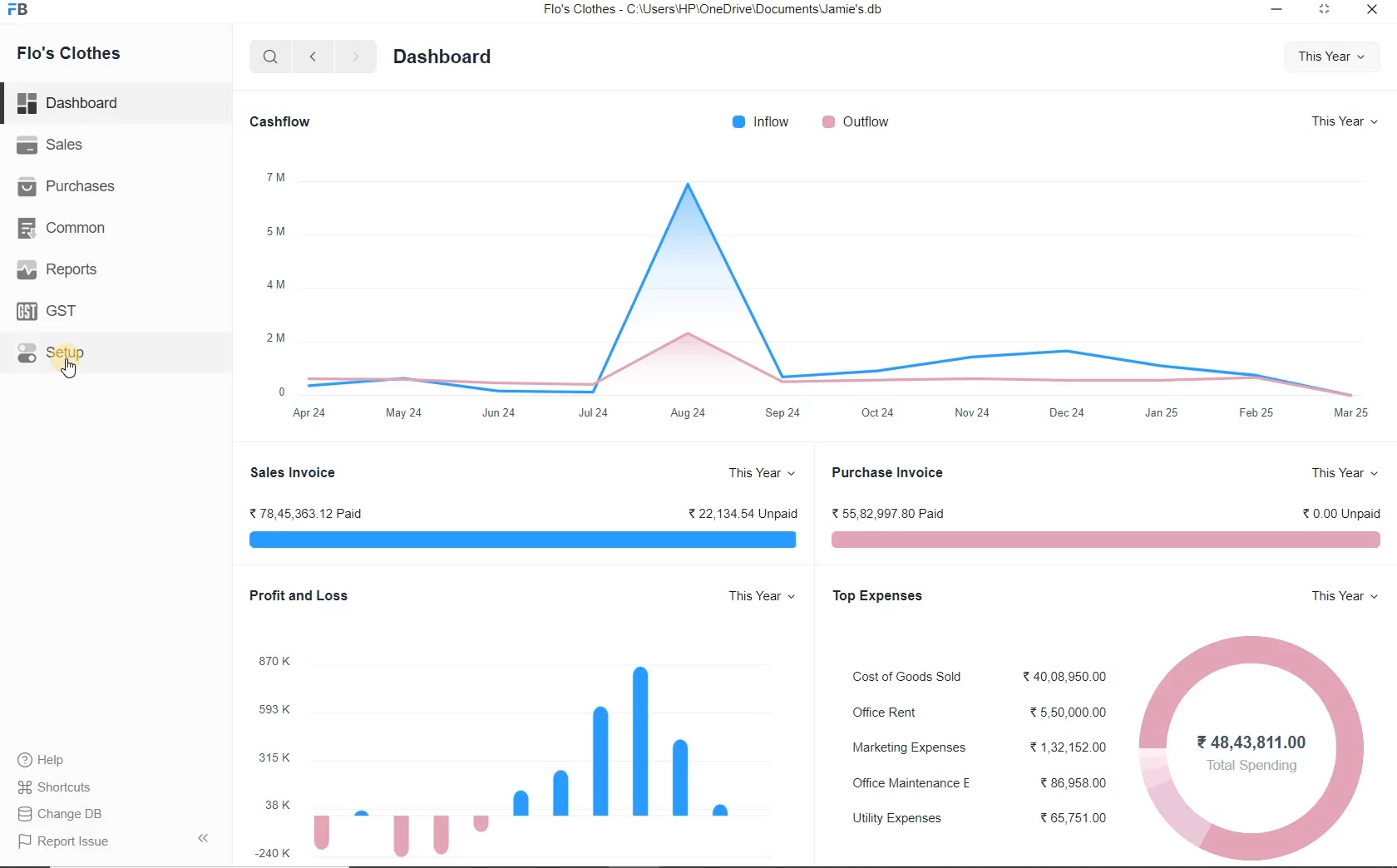 The width and height of the screenshot is (1397, 868). What do you see at coordinates (760, 121) in the screenshot?
I see `® Inflow` at bounding box center [760, 121].